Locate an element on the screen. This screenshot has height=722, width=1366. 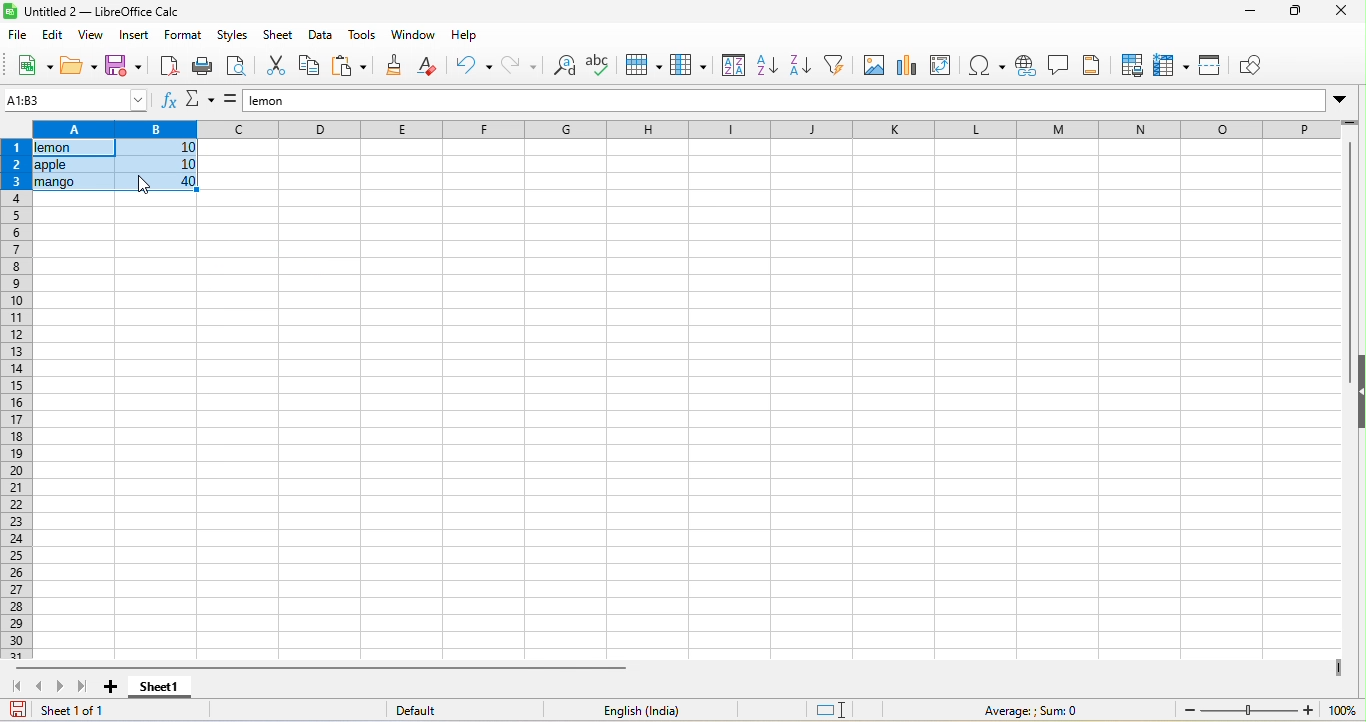
sheet is located at coordinates (281, 36).